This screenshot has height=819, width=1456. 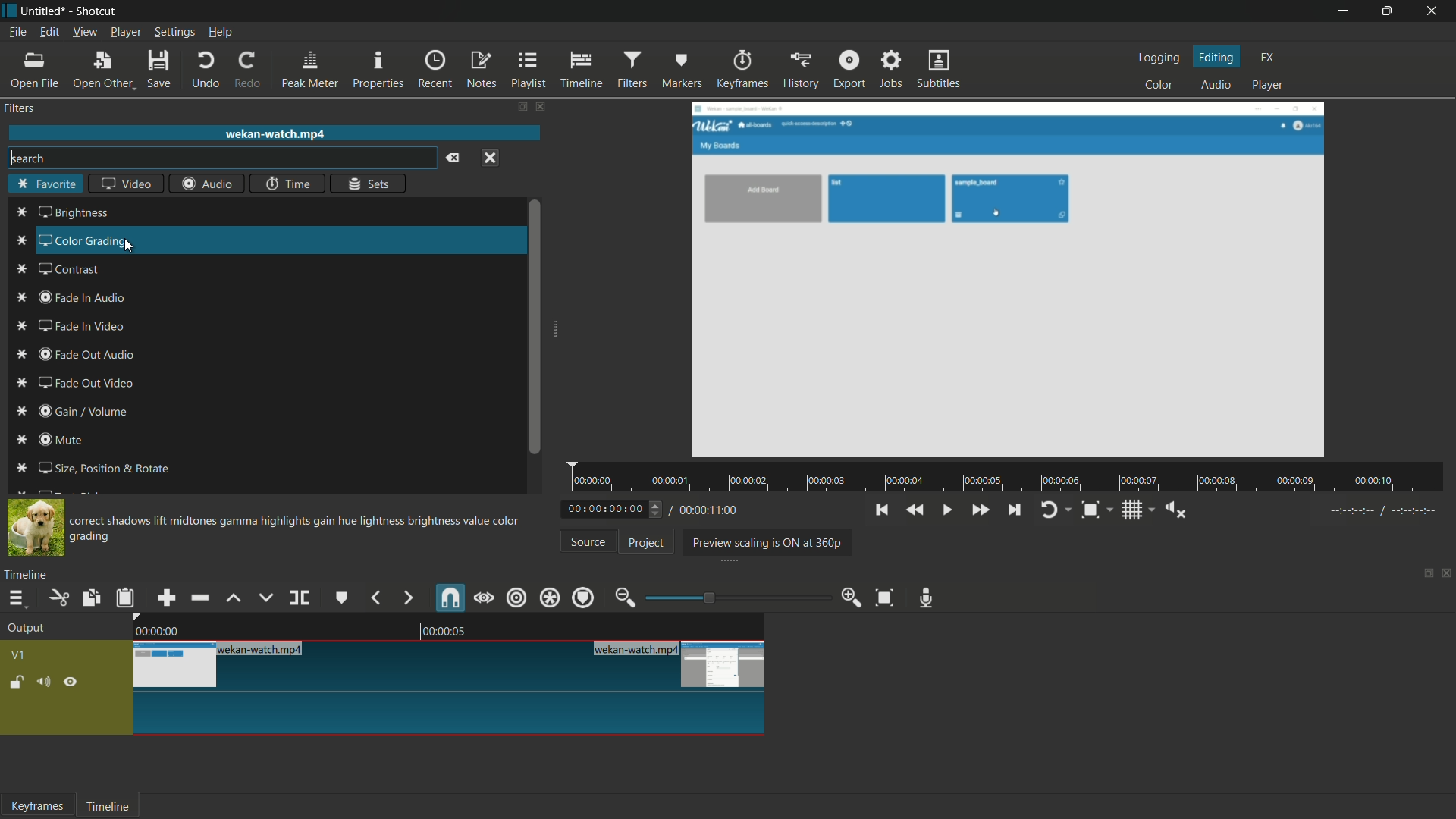 I want to click on editing, so click(x=1217, y=57).